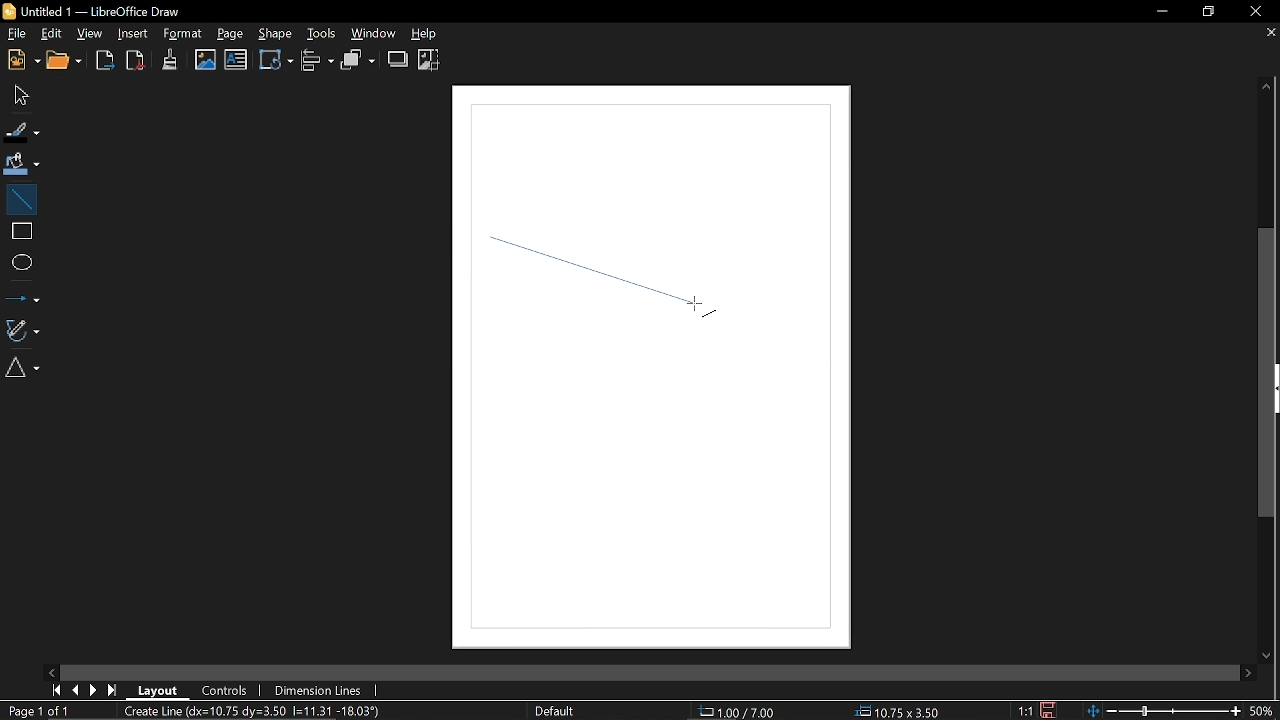  Describe the element at coordinates (1266, 34) in the screenshot. I see `Close page` at that location.